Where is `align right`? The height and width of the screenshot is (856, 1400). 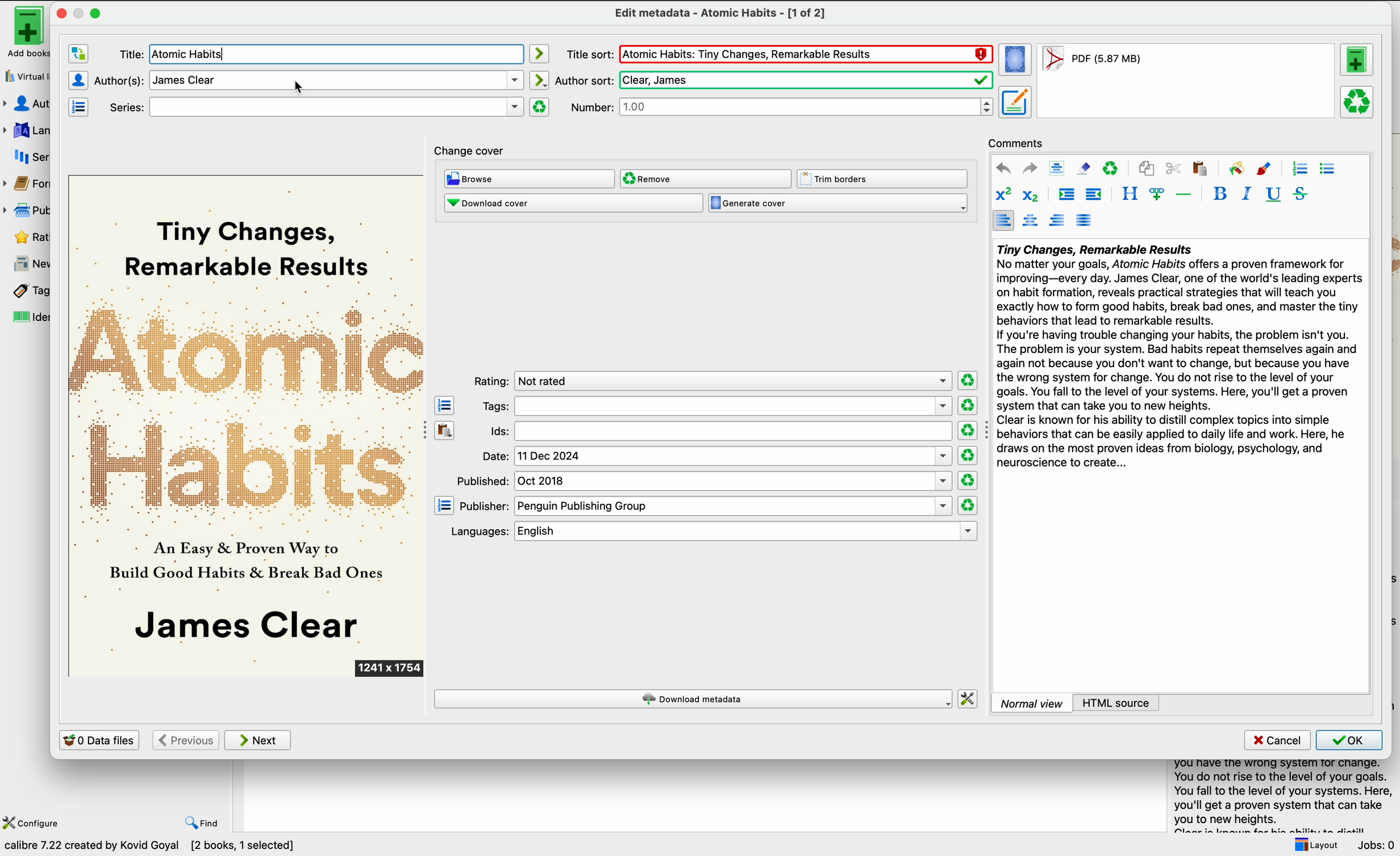 align right is located at coordinates (1058, 220).